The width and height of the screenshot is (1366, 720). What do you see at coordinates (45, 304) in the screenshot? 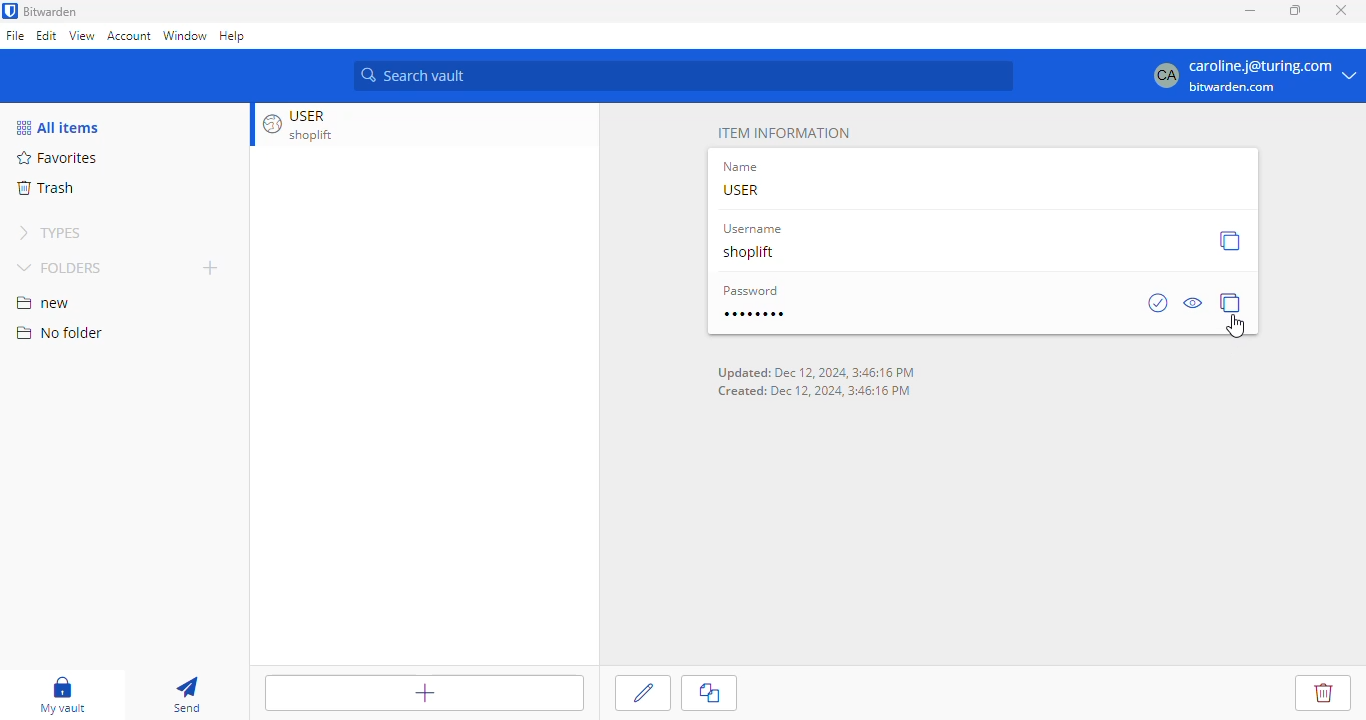
I see `new` at bounding box center [45, 304].